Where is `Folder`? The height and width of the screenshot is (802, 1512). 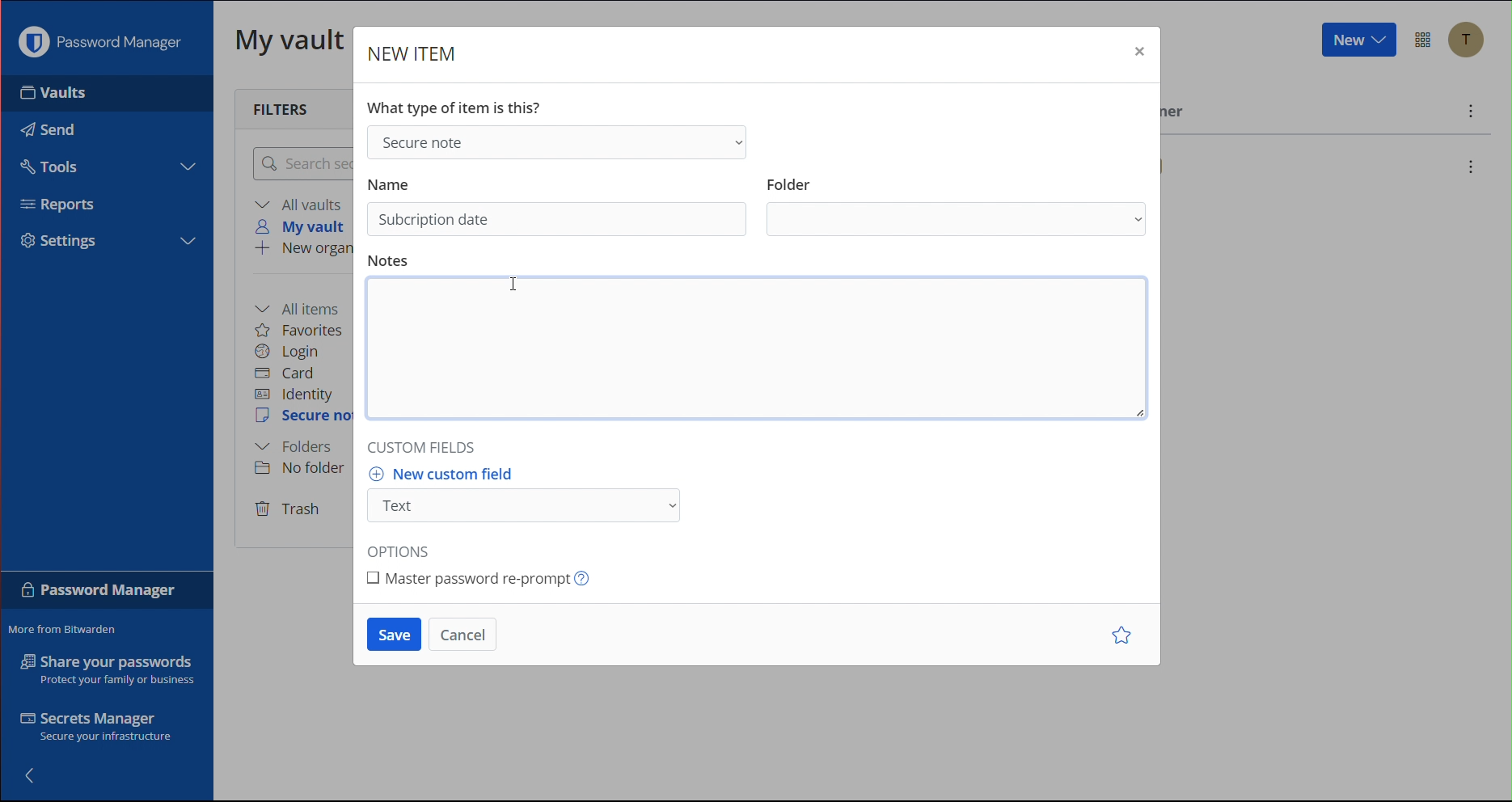
Folder is located at coordinates (790, 179).